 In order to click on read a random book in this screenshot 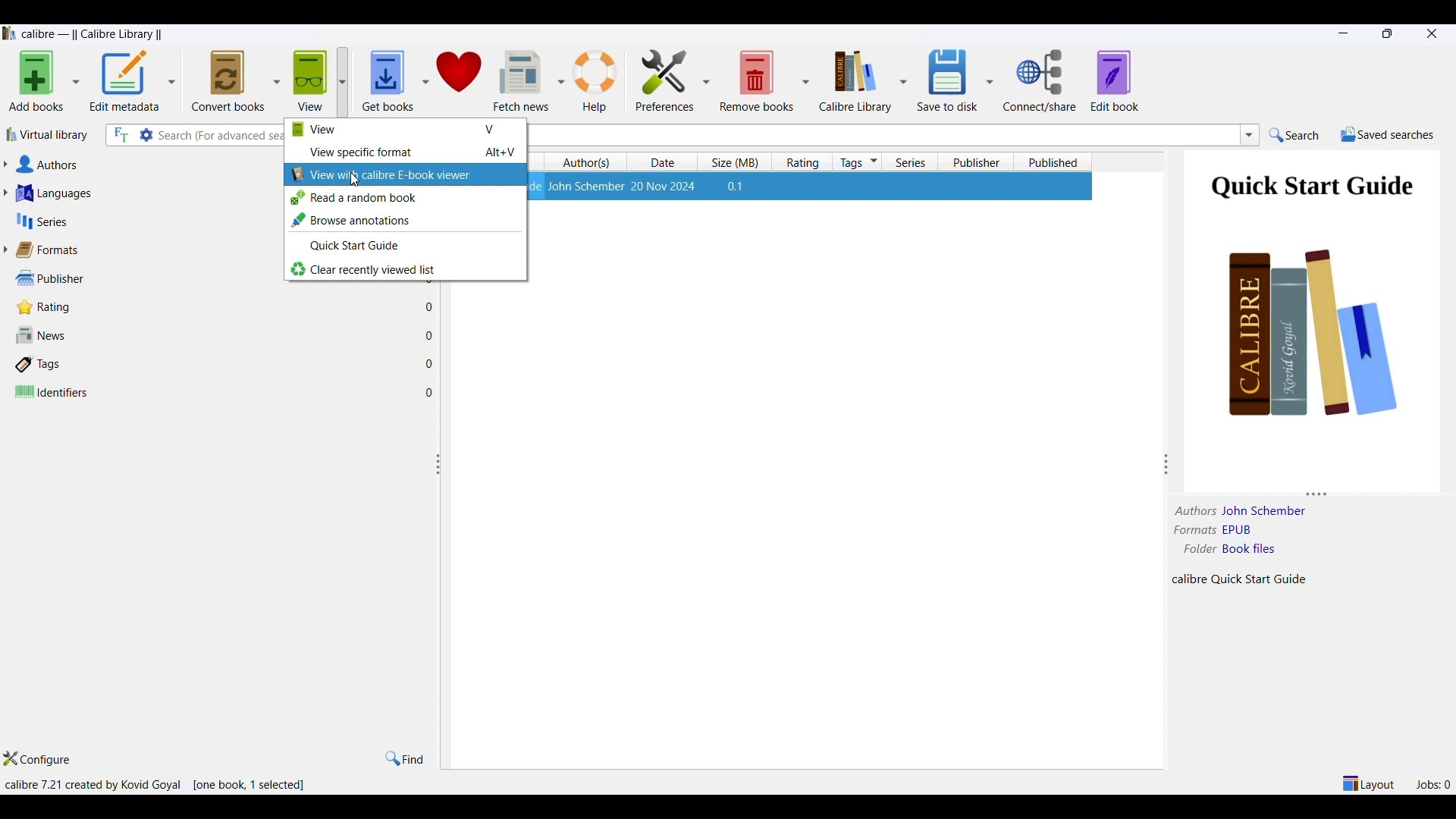, I will do `click(407, 199)`.